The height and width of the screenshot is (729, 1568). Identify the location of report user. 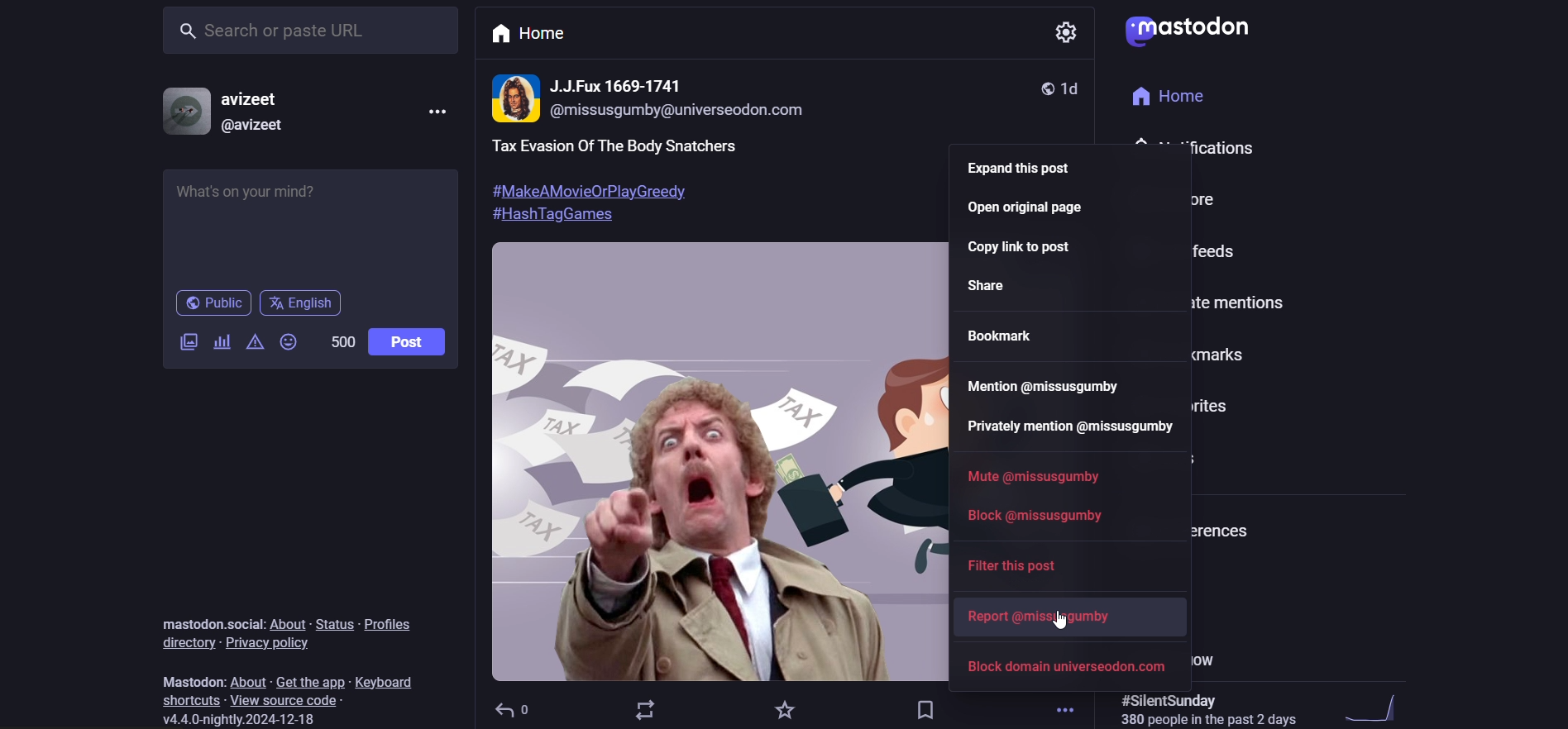
(1045, 618).